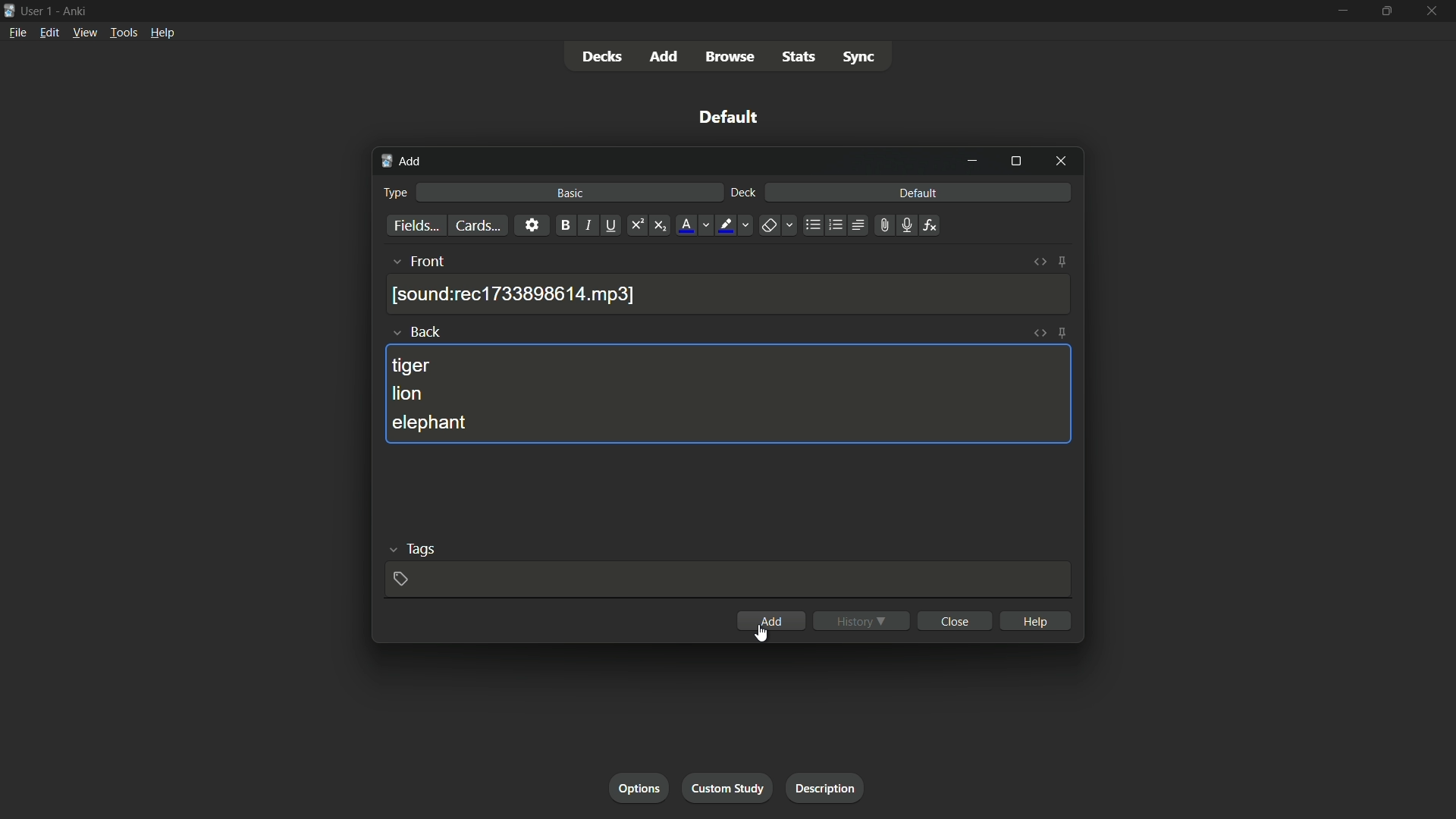 This screenshot has height=819, width=1456. What do you see at coordinates (725, 225) in the screenshot?
I see `highlight text` at bounding box center [725, 225].